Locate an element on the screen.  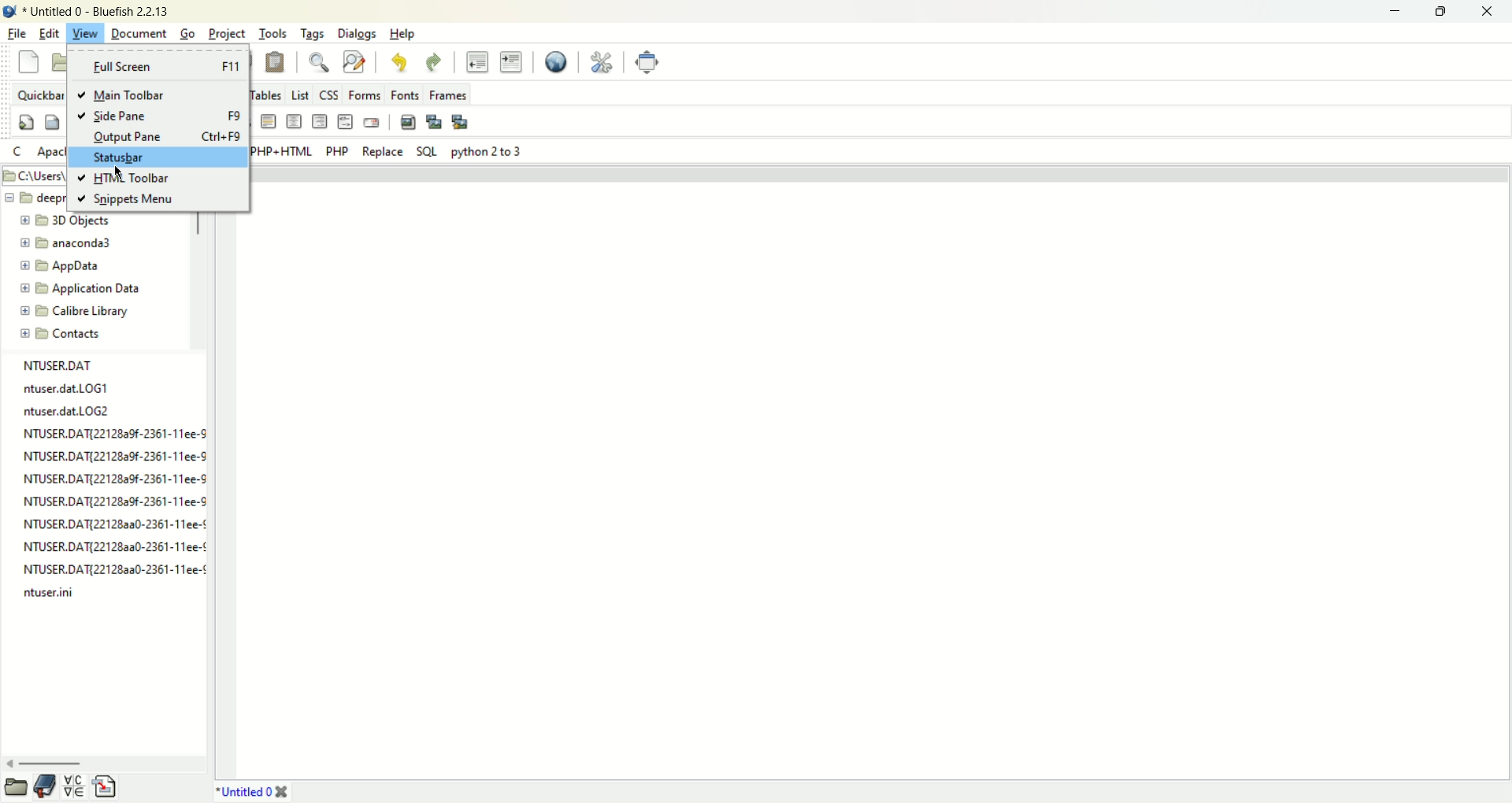
ntuser.dat.LOG2 is located at coordinates (72, 412).